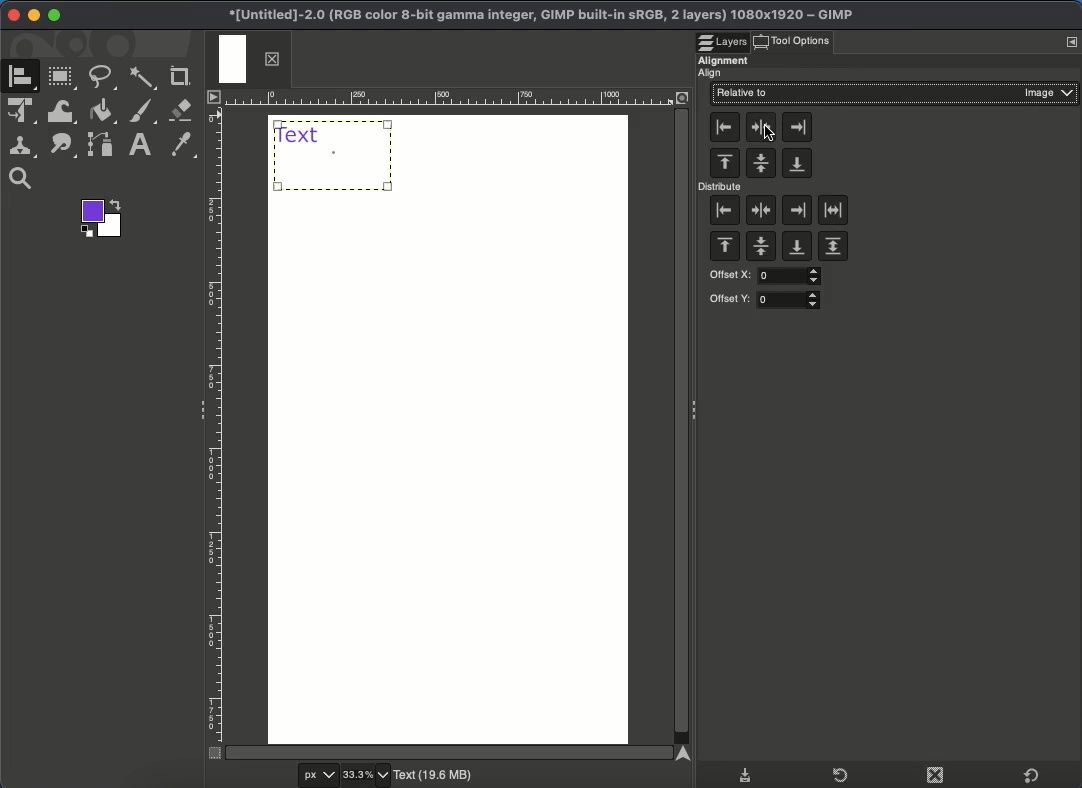 Image resolution: width=1082 pixels, height=788 pixels. Describe the element at coordinates (466, 98) in the screenshot. I see `Ruler` at that location.